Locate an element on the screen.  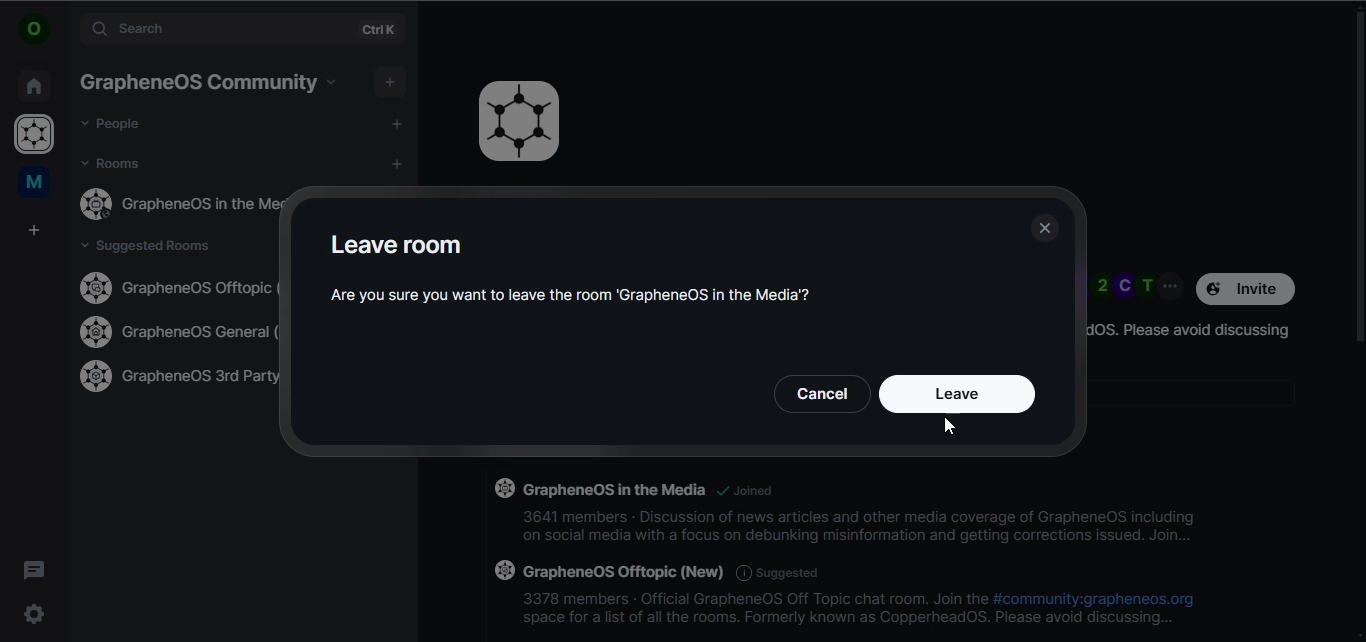
people is located at coordinates (113, 124).